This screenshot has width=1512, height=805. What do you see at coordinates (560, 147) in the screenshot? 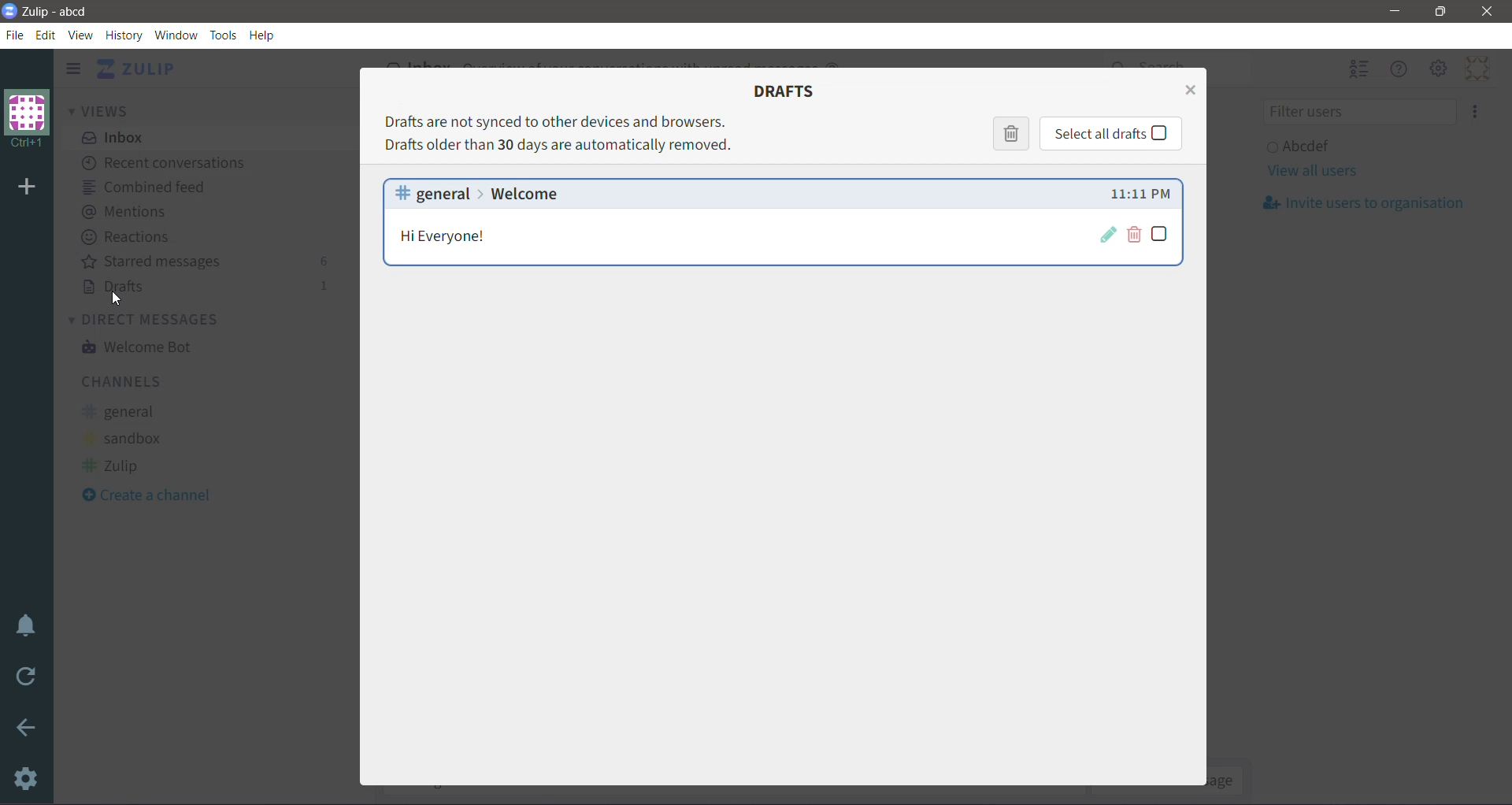
I see `Drafts older than 30 days are automatically removed` at bounding box center [560, 147].